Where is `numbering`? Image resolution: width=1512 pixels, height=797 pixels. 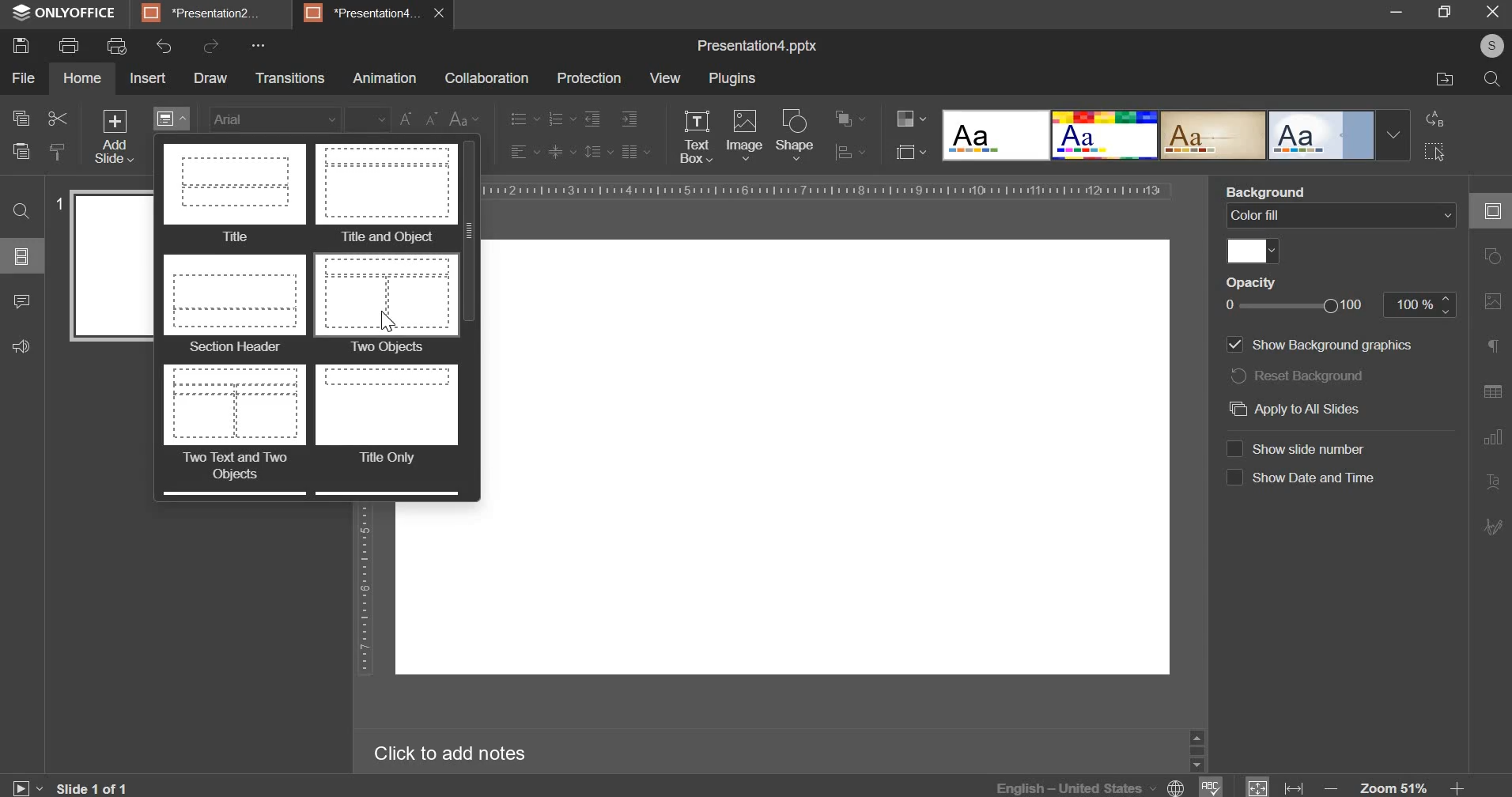 numbering is located at coordinates (561, 119).